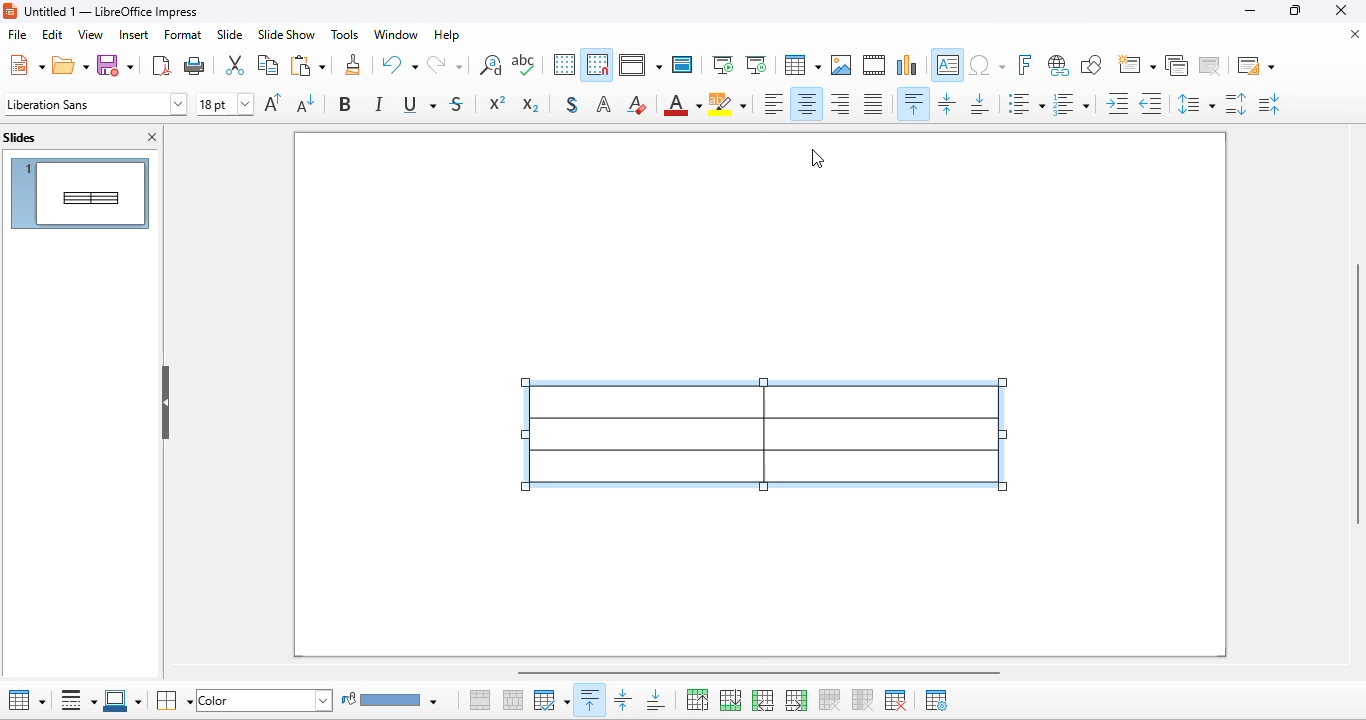 This screenshot has width=1366, height=720. What do you see at coordinates (897, 700) in the screenshot?
I see `delete table` at bounding box center [897, 700].